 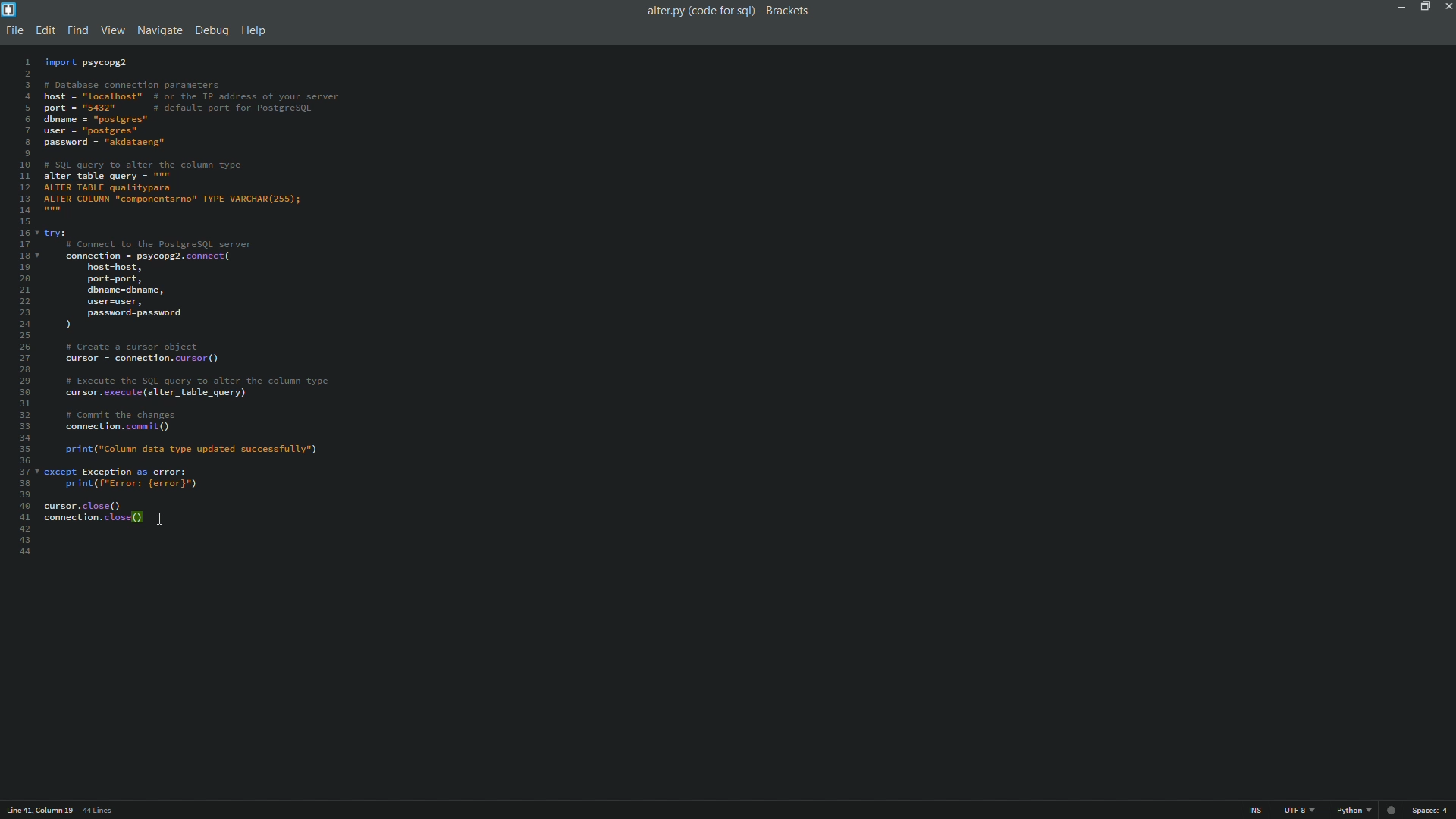 I want to click on close app, so click(x=1447, y=7).